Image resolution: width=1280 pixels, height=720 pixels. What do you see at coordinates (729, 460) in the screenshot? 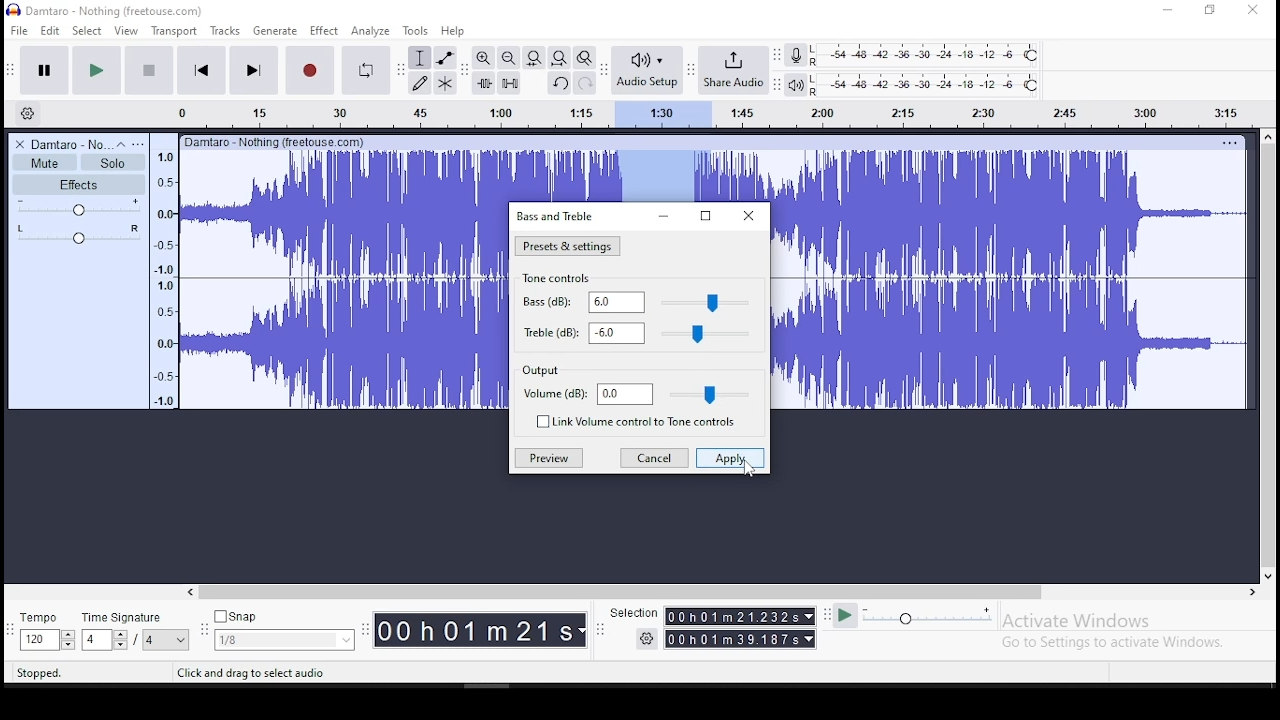
I see `apply` at bounding box center [729, 460].